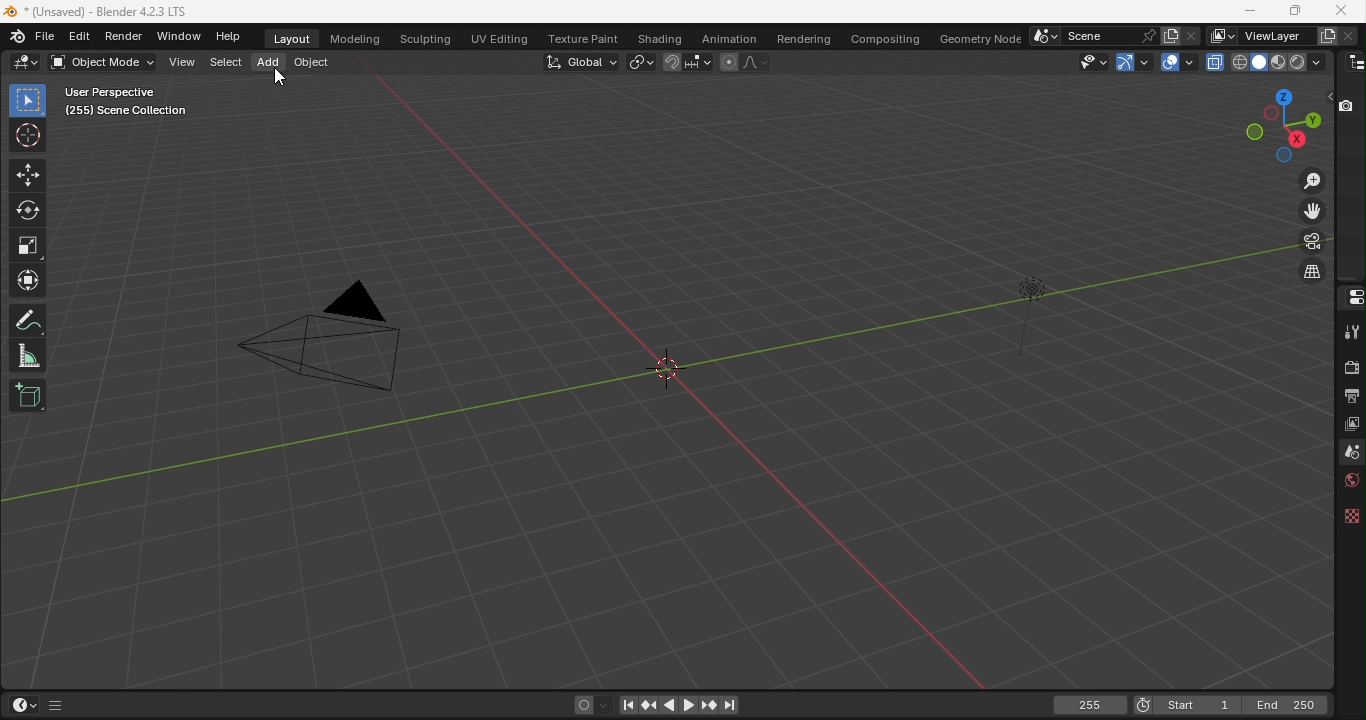  What do you see at coordinates (426, 37) in the screenshot?
I see `Sculpting` at bounding box center [426, 37].